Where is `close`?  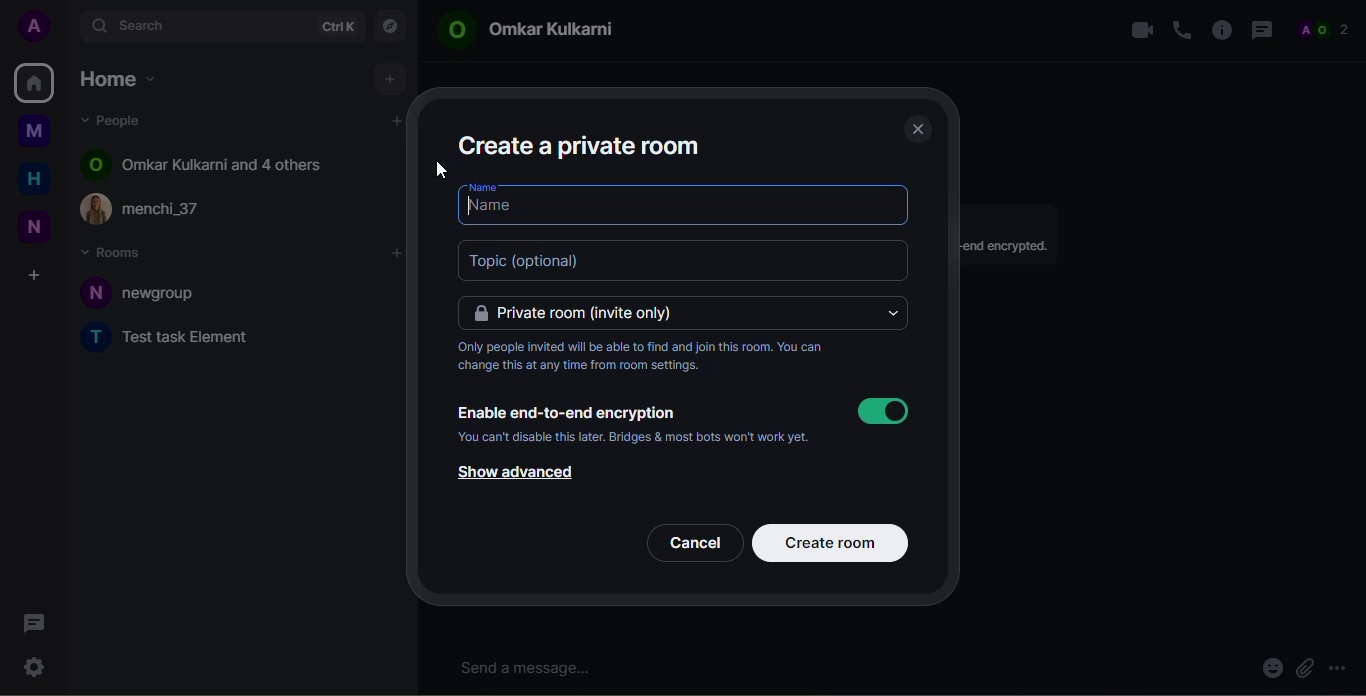 close is located at coordinates (917, 128).